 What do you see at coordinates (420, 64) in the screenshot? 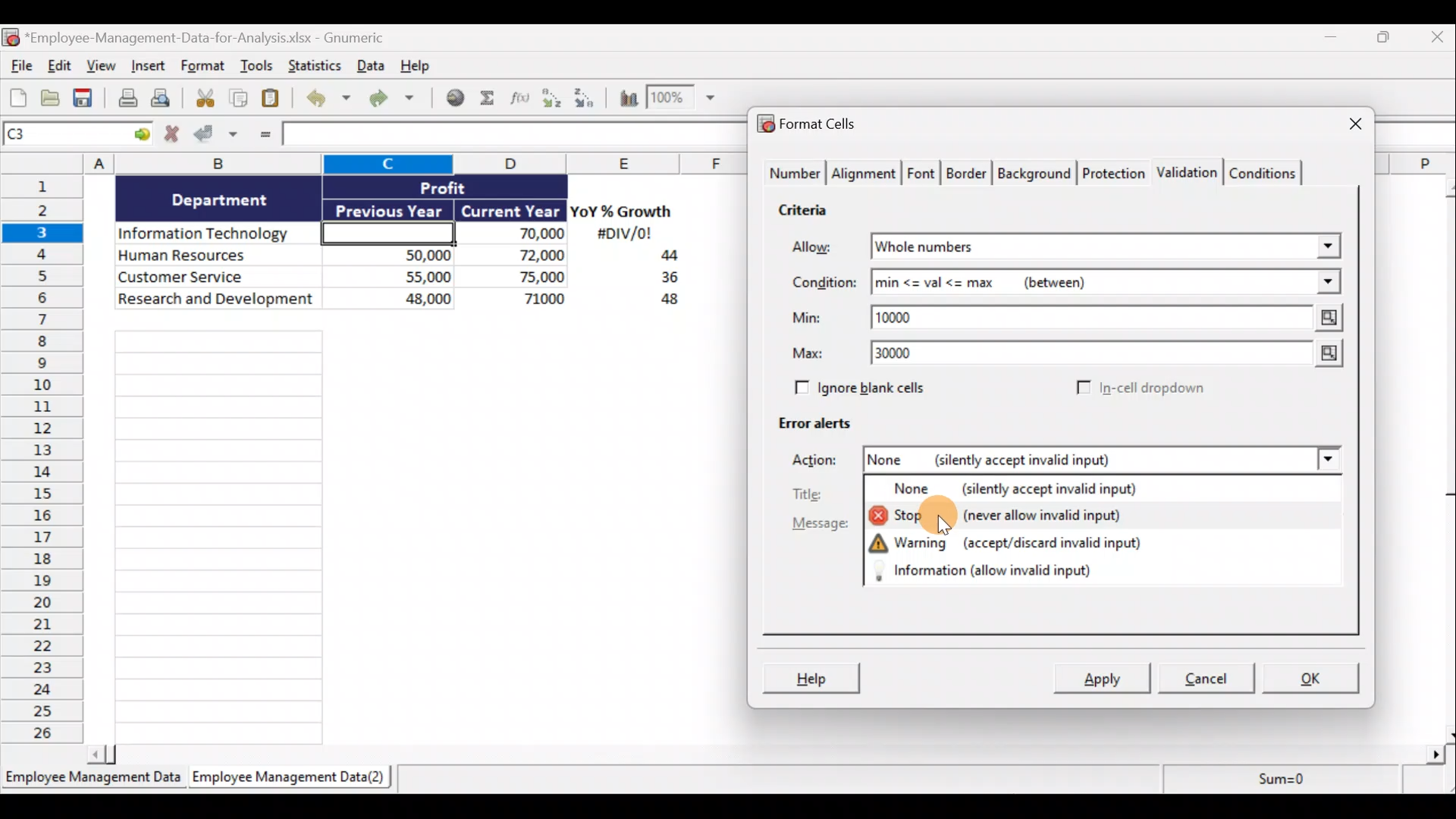
I see `Help` at bounding box center [420, 64].